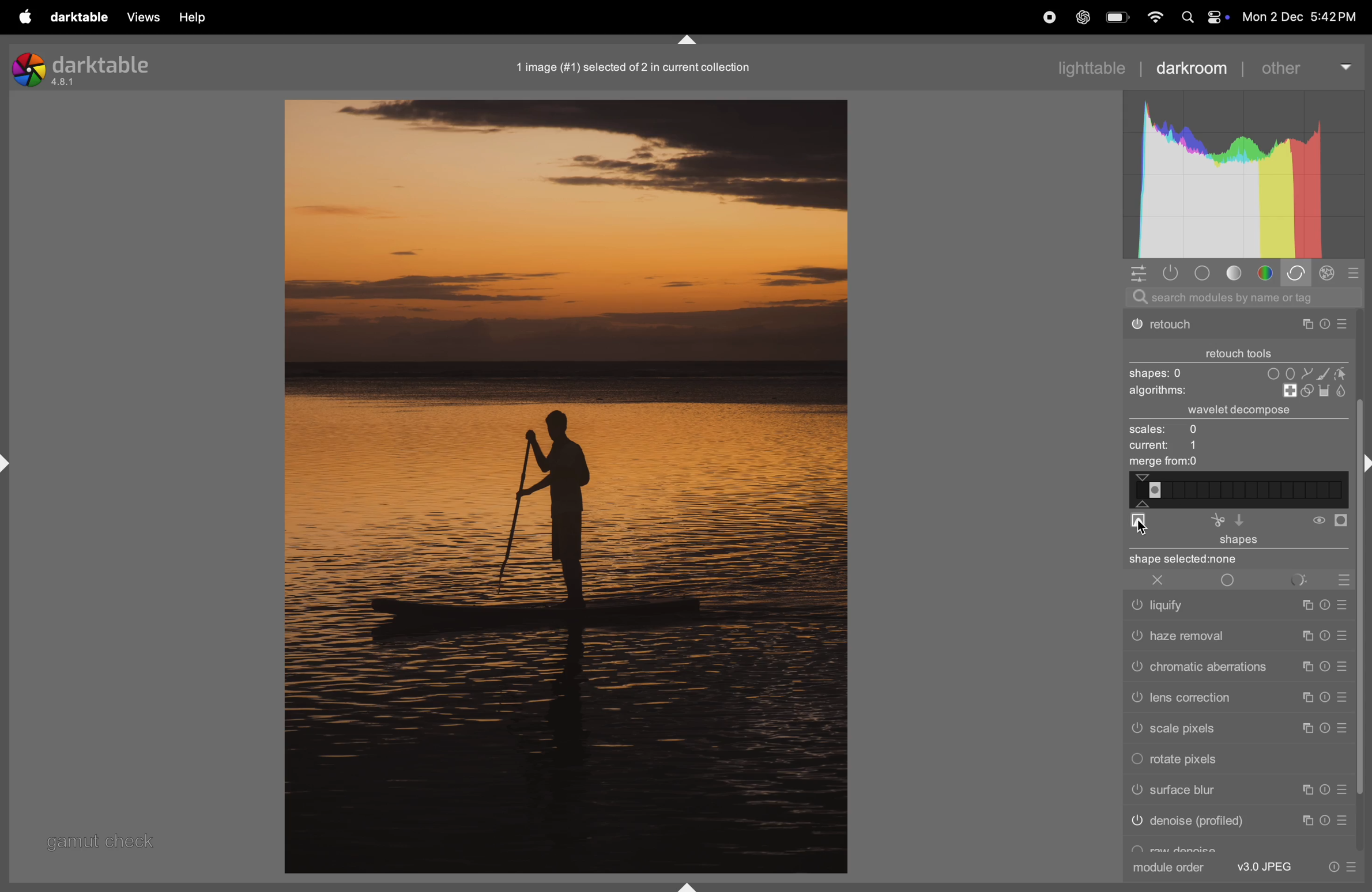  I want to click on scales, so click(1185, 430).